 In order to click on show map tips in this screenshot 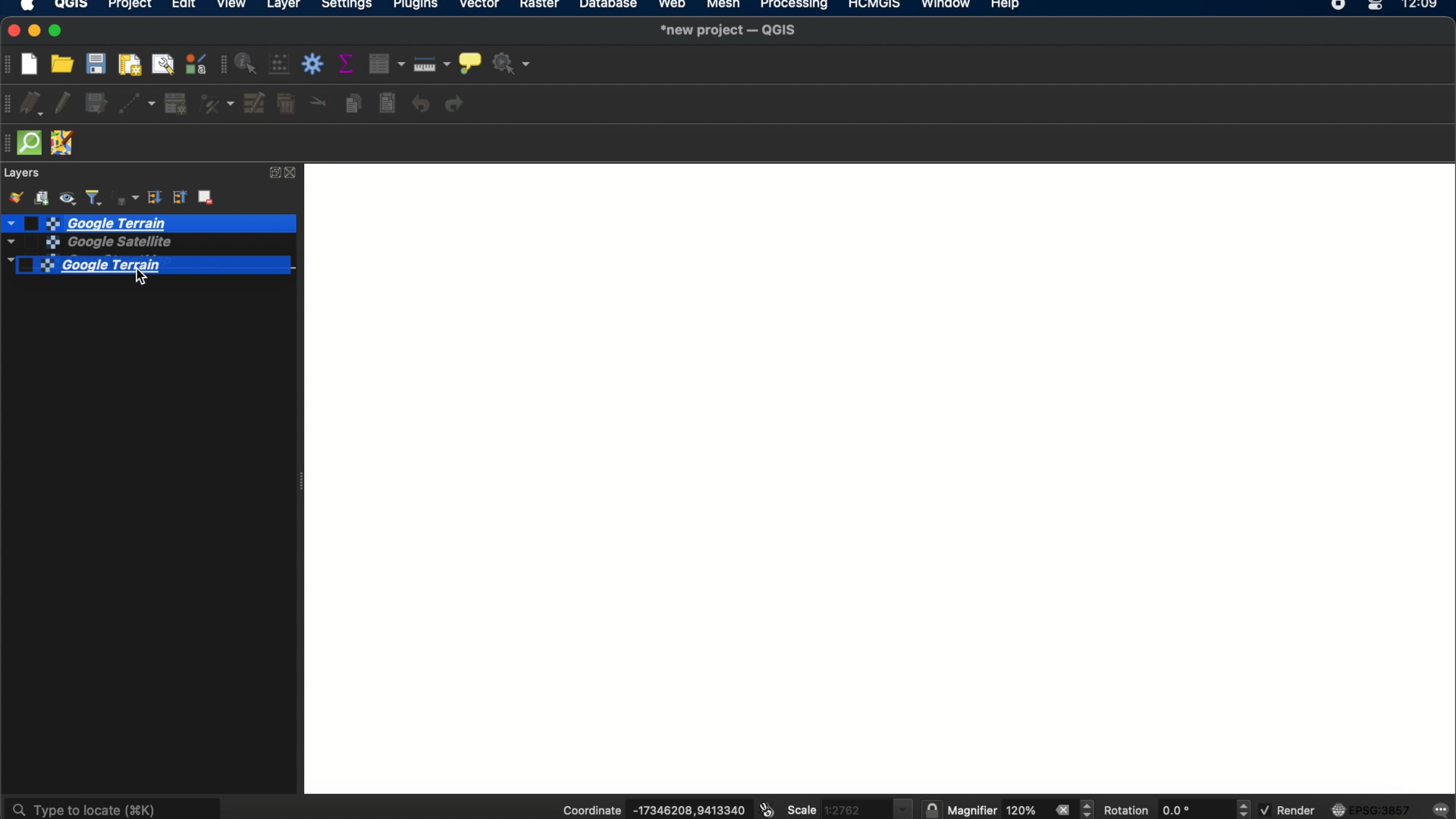, I will do `click(469, 61)`.